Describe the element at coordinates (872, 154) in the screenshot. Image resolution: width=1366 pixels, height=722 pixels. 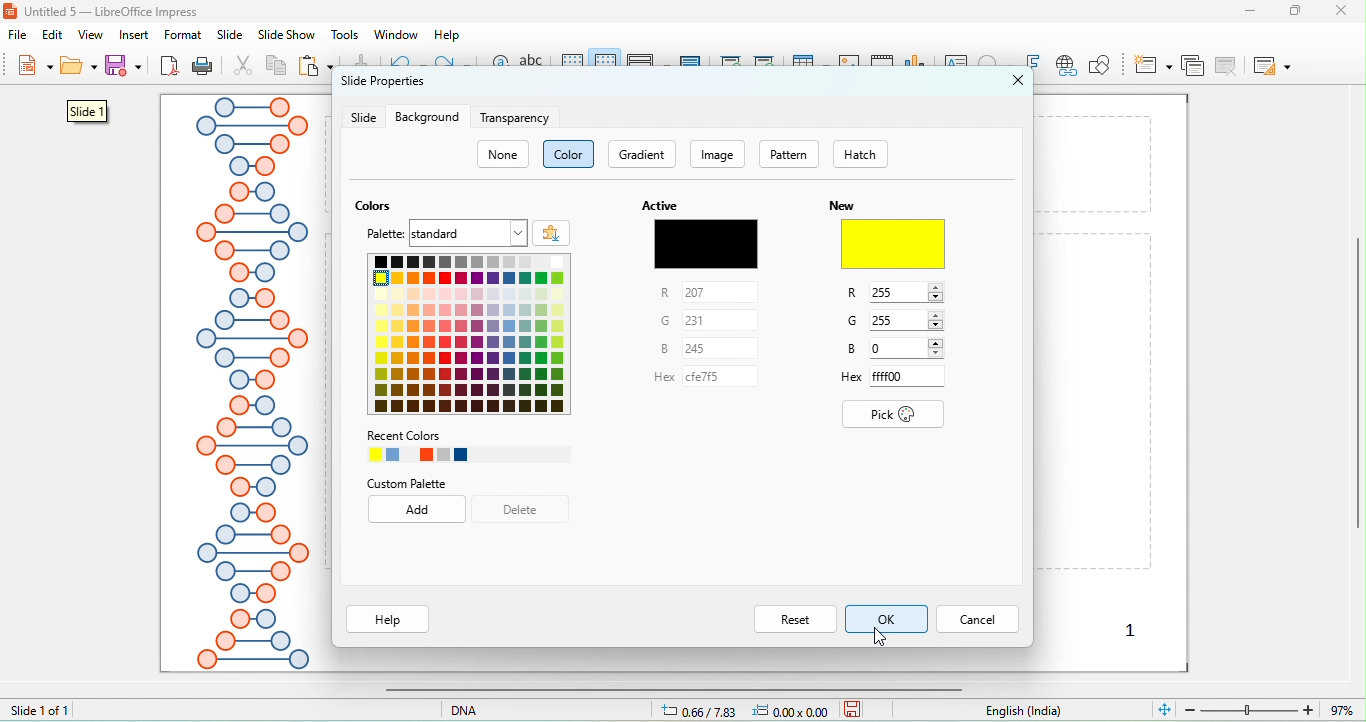
I see `hatch` at that location.